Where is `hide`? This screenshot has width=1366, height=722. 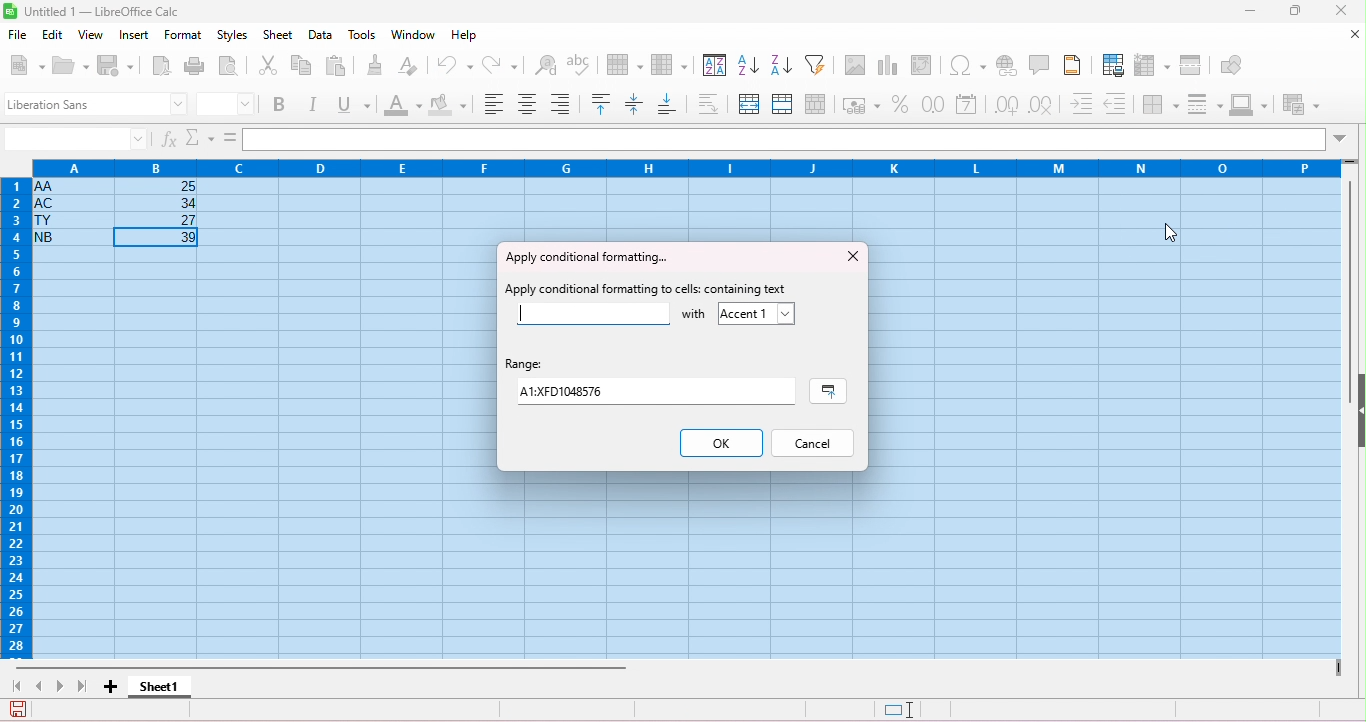 hide is located at coordinates (1357, 409).